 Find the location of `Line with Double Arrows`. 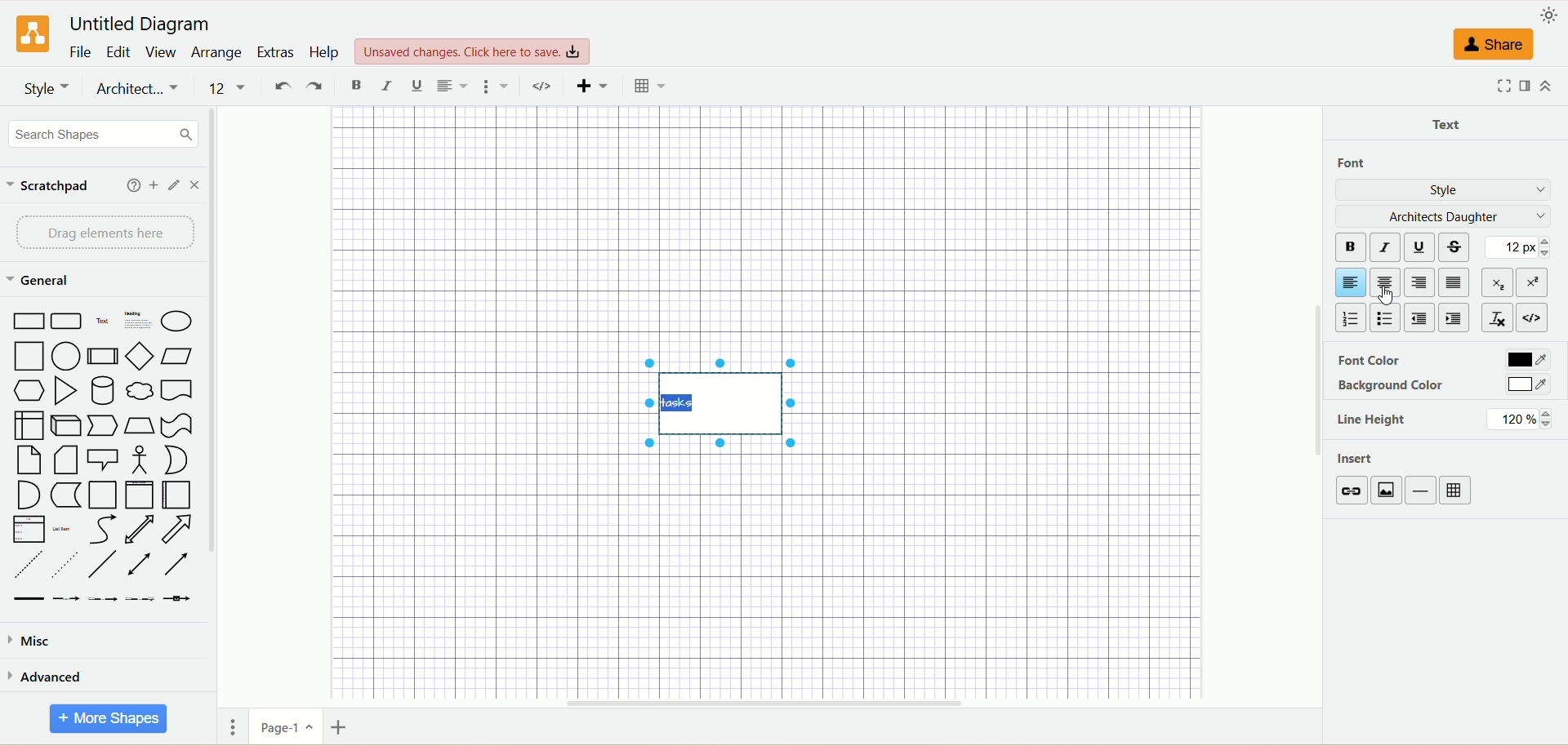

Line with Double Arrows is located at coordinates (138, 565).